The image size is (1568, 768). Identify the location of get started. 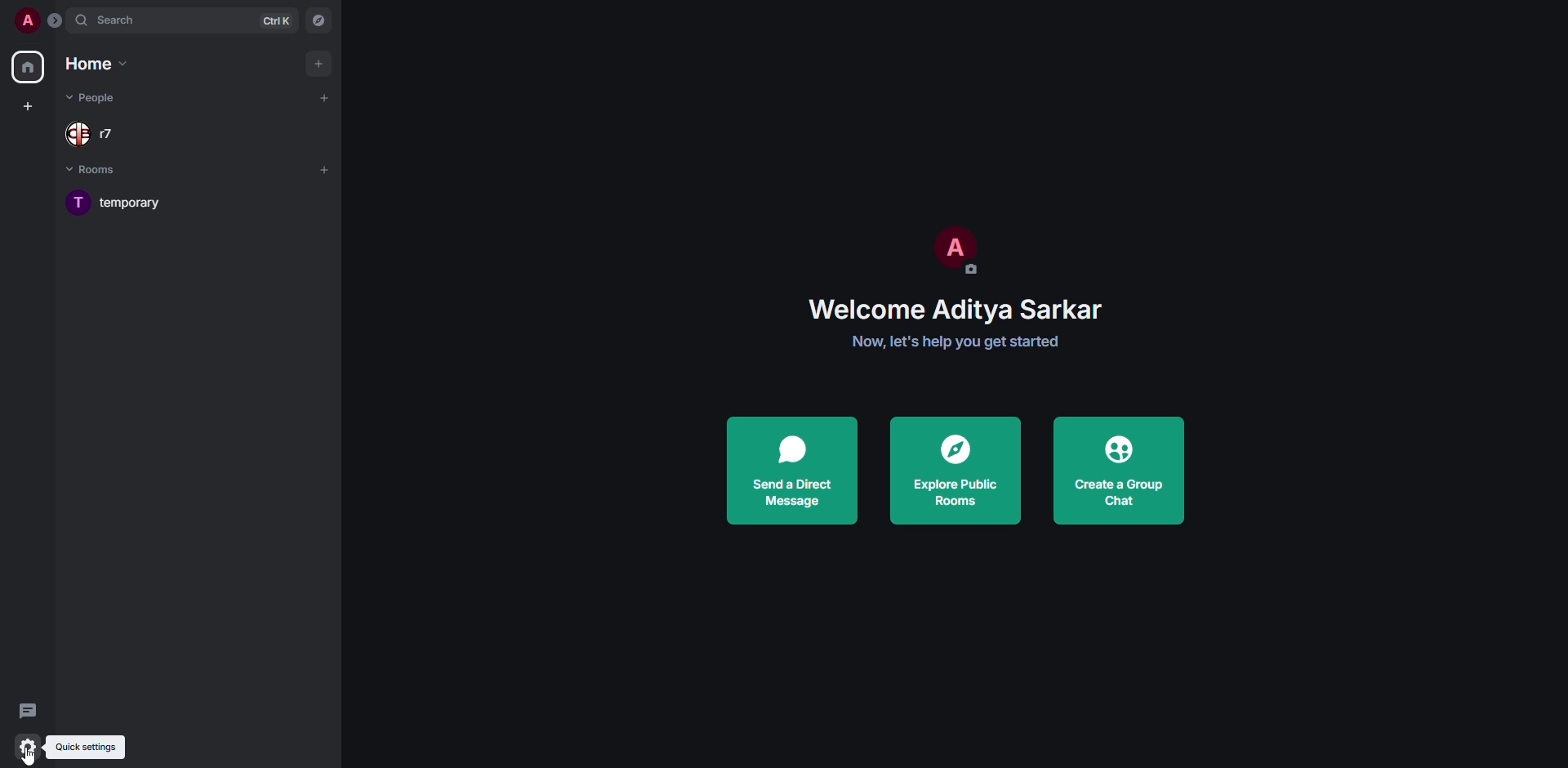
(957, 342).